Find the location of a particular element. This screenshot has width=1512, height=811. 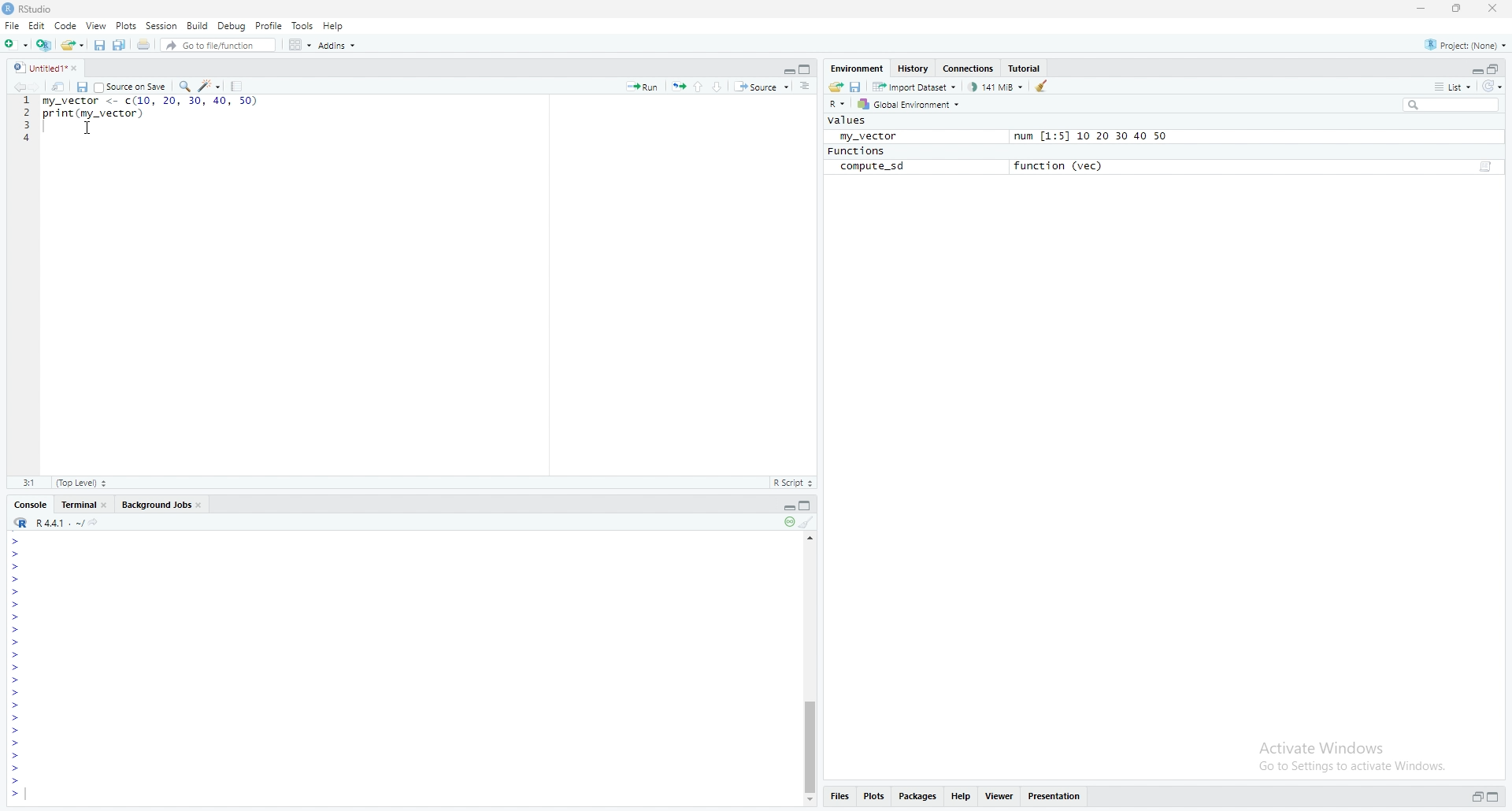

Values is located at coordinates (848, 120).